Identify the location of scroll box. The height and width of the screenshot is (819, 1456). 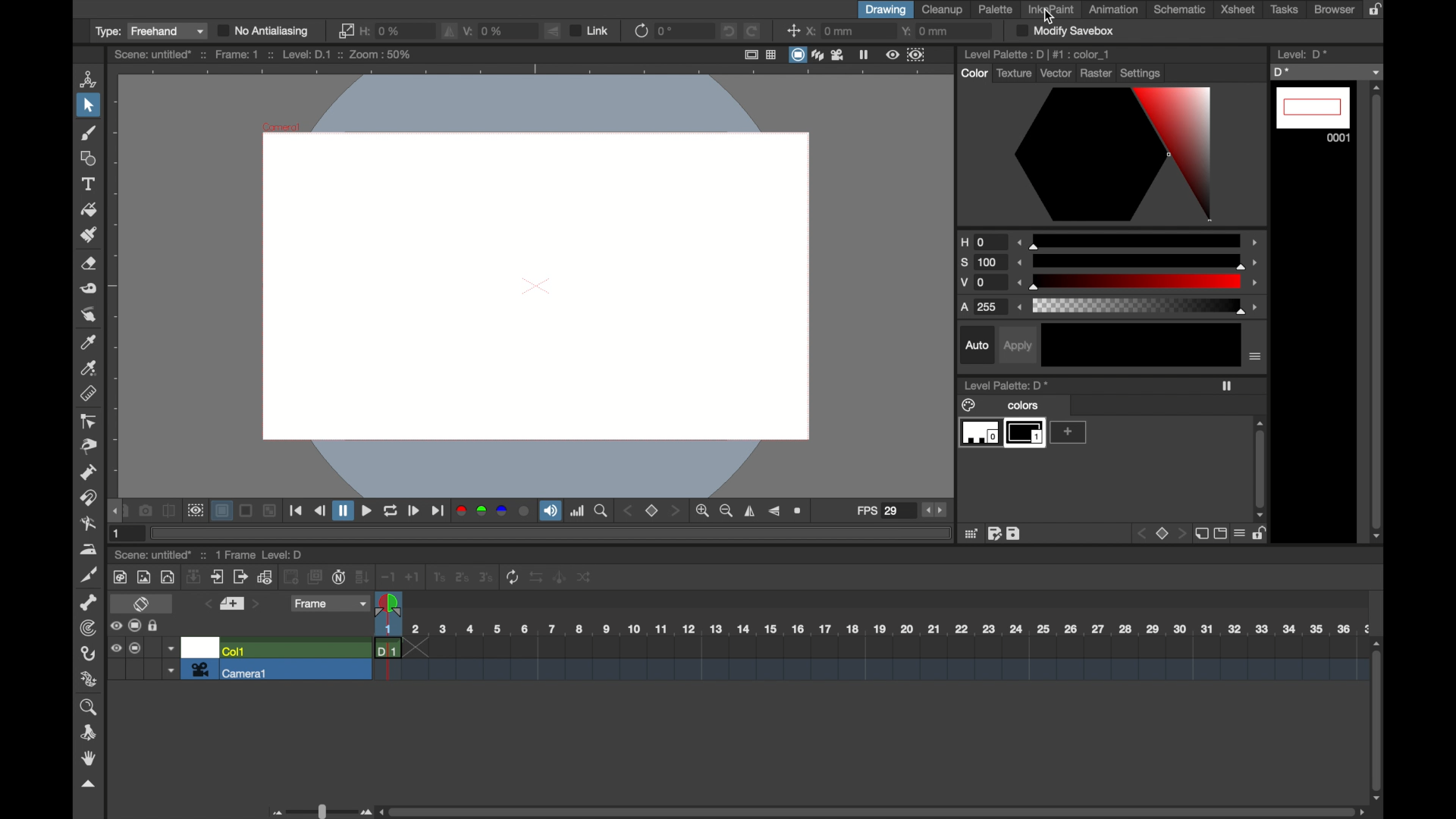
(1378, 719).